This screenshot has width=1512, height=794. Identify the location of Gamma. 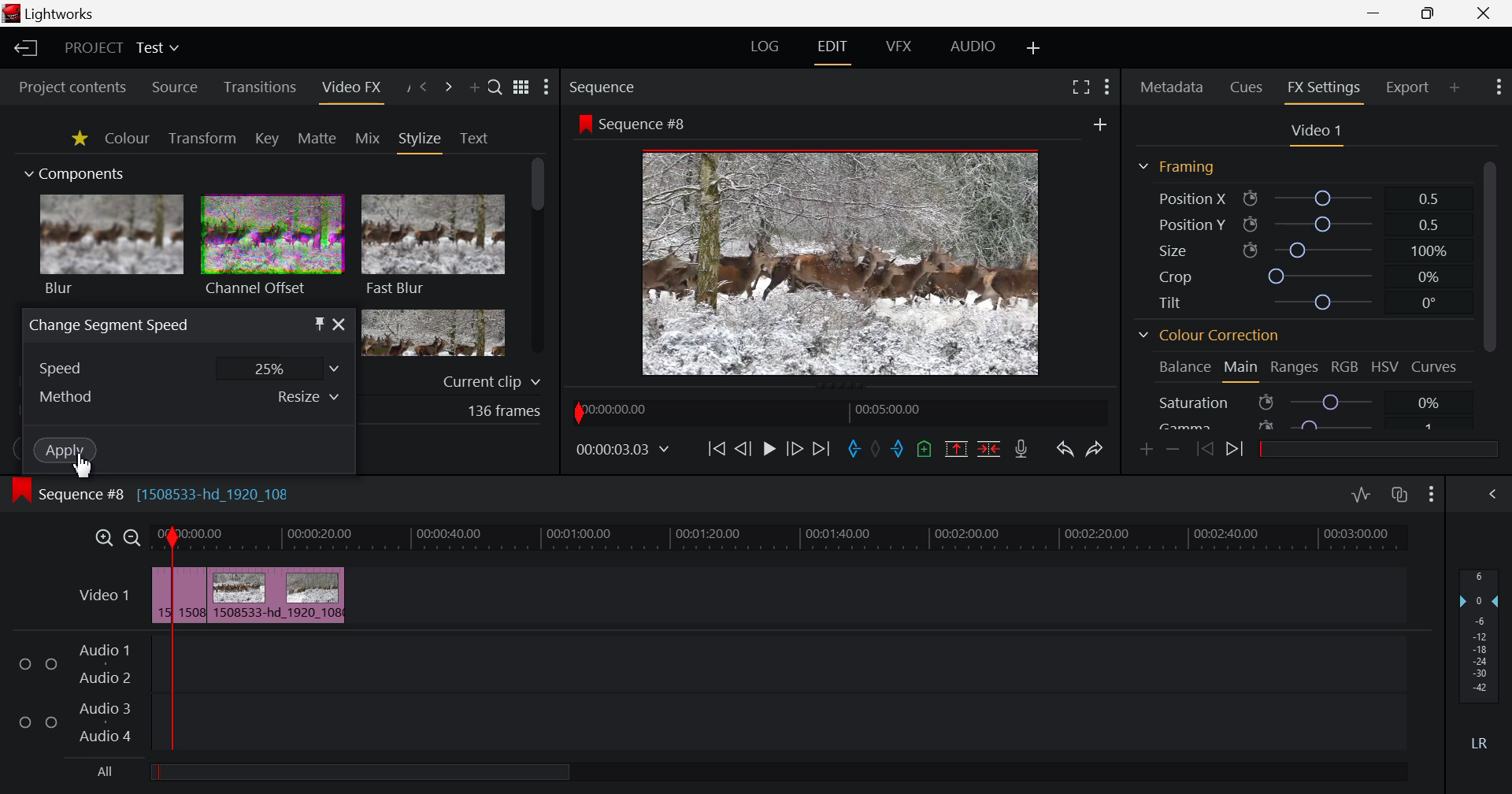
(1310, 423).